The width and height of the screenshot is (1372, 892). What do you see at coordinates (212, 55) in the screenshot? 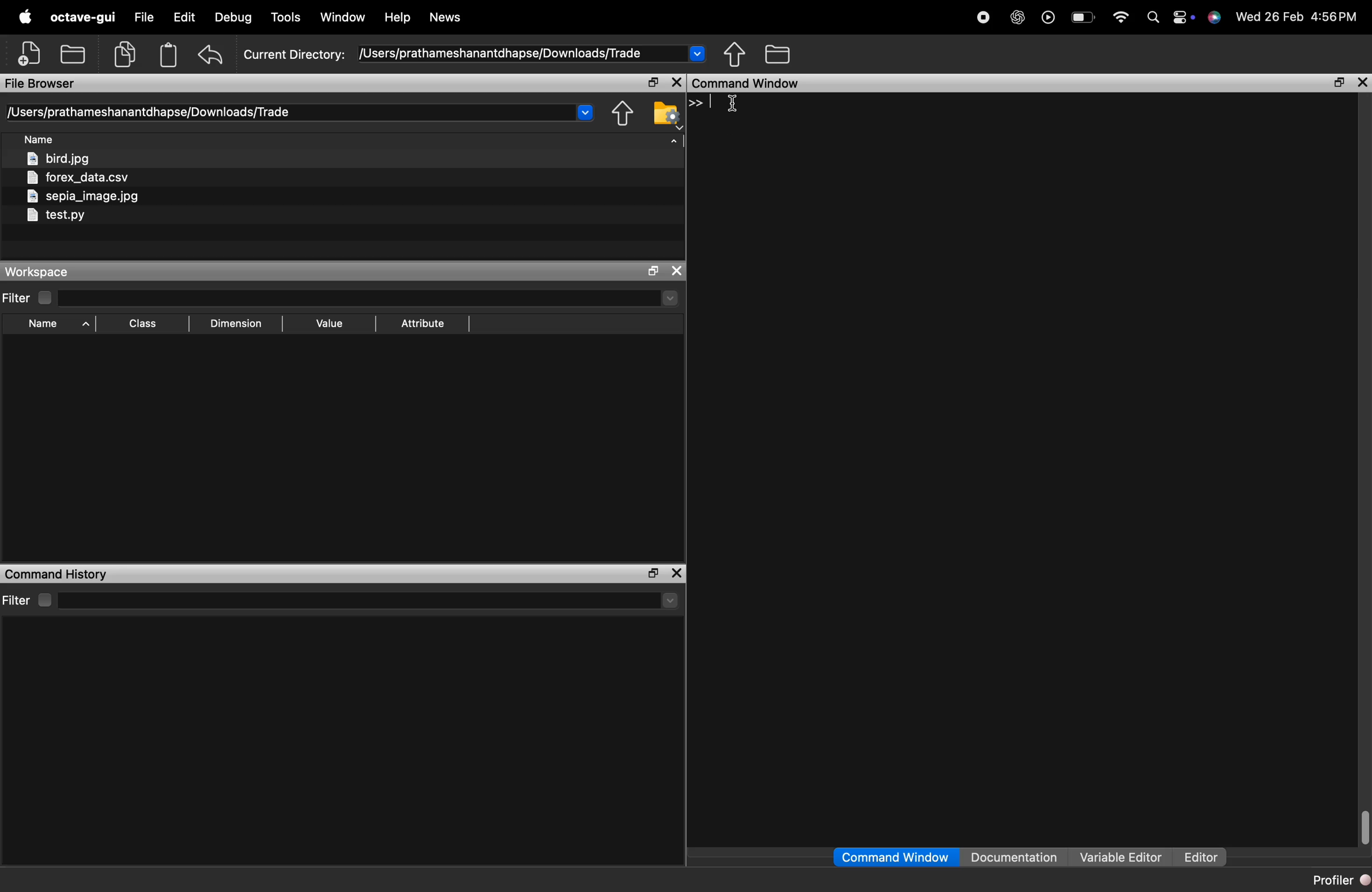
I see `undo` at bounding box center [212, 55].